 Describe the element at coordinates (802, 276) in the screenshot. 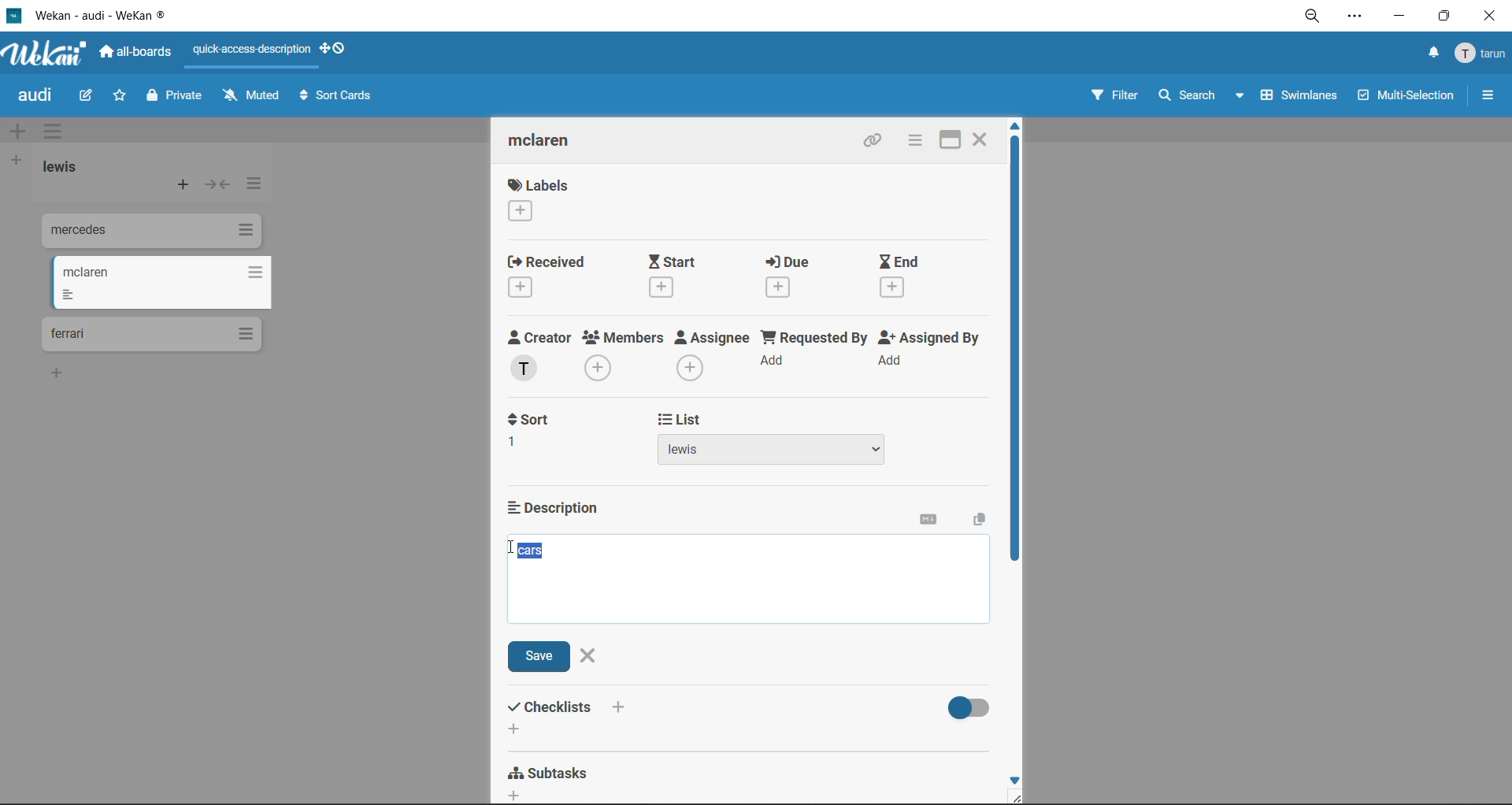

I see `due` at that location.